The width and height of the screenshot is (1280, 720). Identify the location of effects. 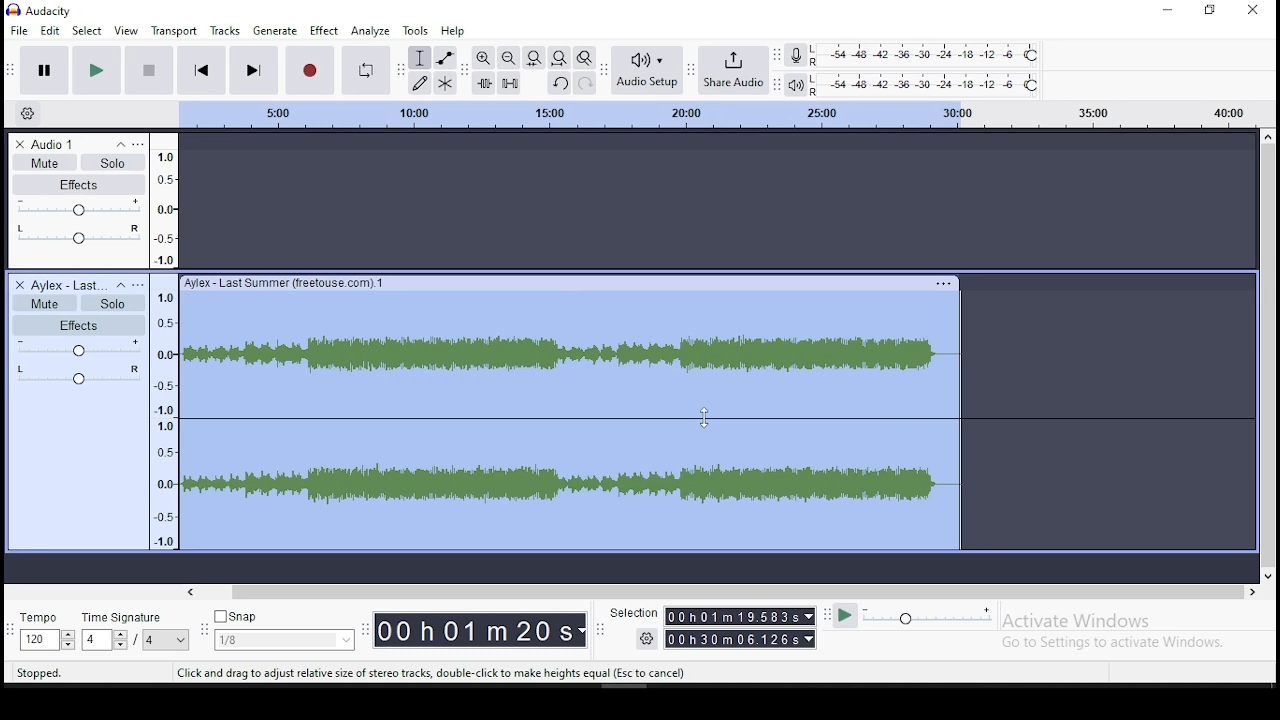
(79, 325).